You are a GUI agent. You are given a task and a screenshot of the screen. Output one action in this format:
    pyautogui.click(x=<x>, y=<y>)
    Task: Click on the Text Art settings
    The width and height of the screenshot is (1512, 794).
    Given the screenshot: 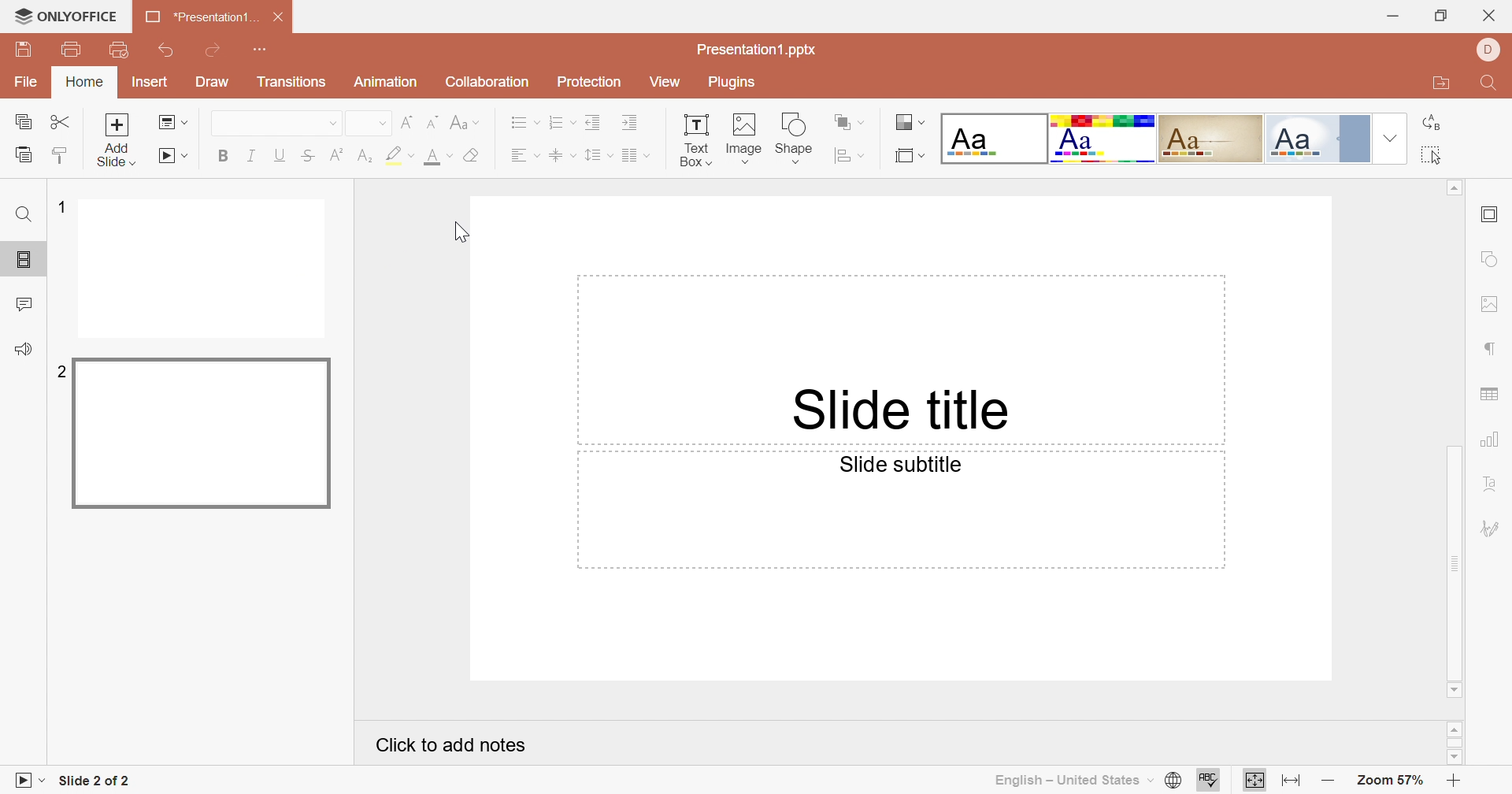 What is the action you would take?
    pyautogui.click(x=1492, y=489)
    